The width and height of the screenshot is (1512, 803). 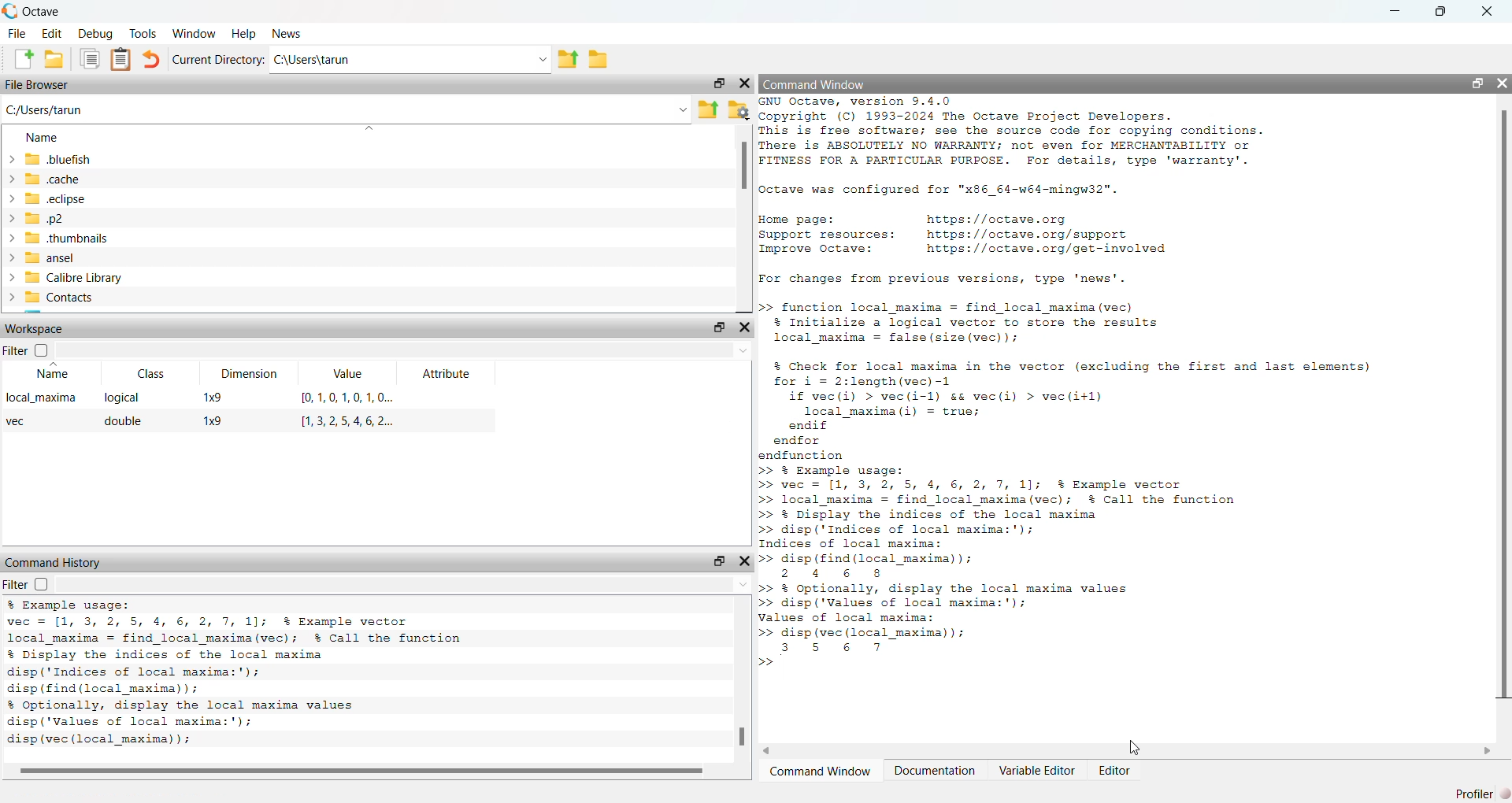 I want to click on Enter text to filter the workspace, so click(x=403, y=350).